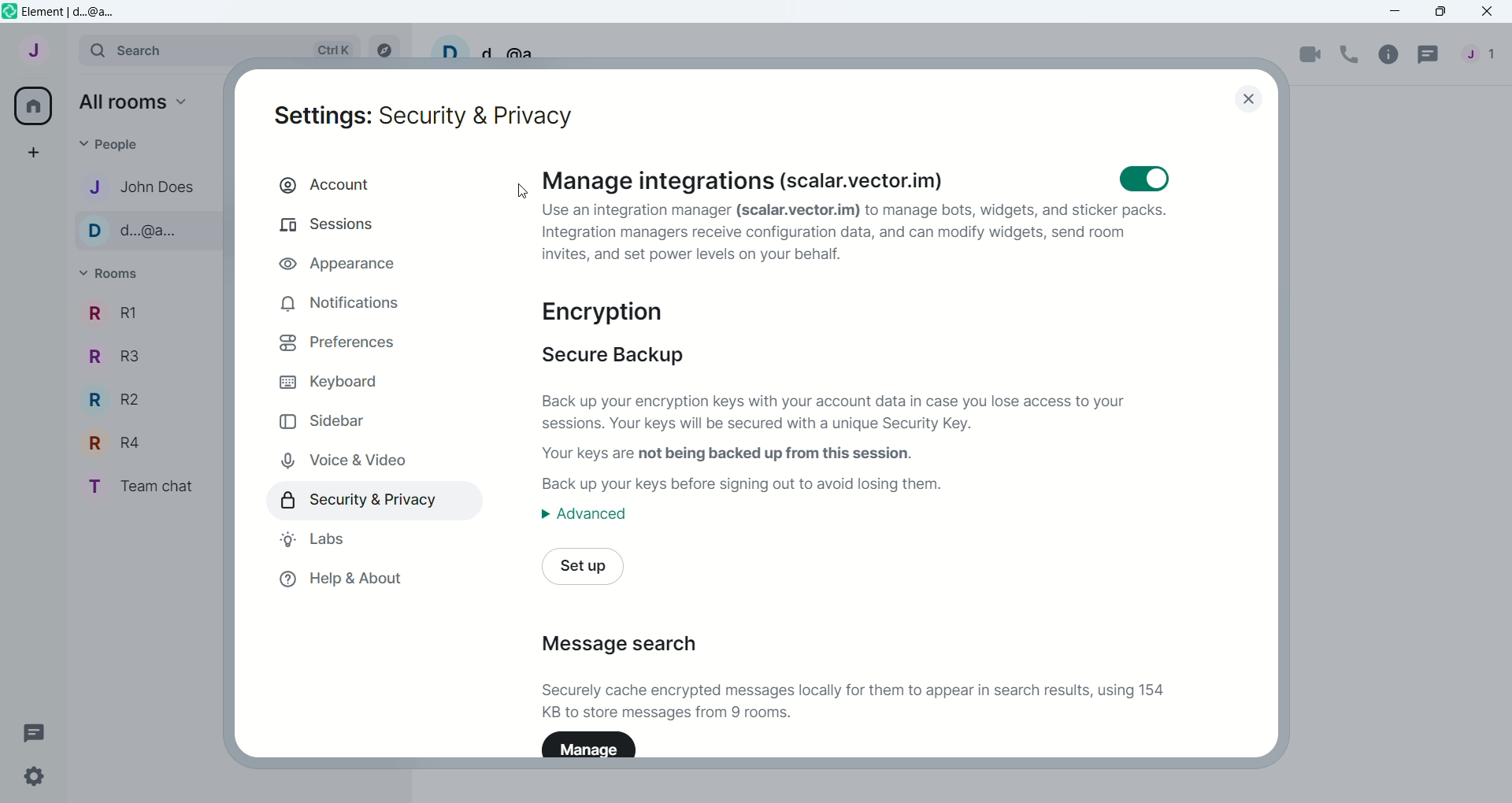 This screenshot has width=1512, height=803. I want to click on R R1, so click(117, 313).